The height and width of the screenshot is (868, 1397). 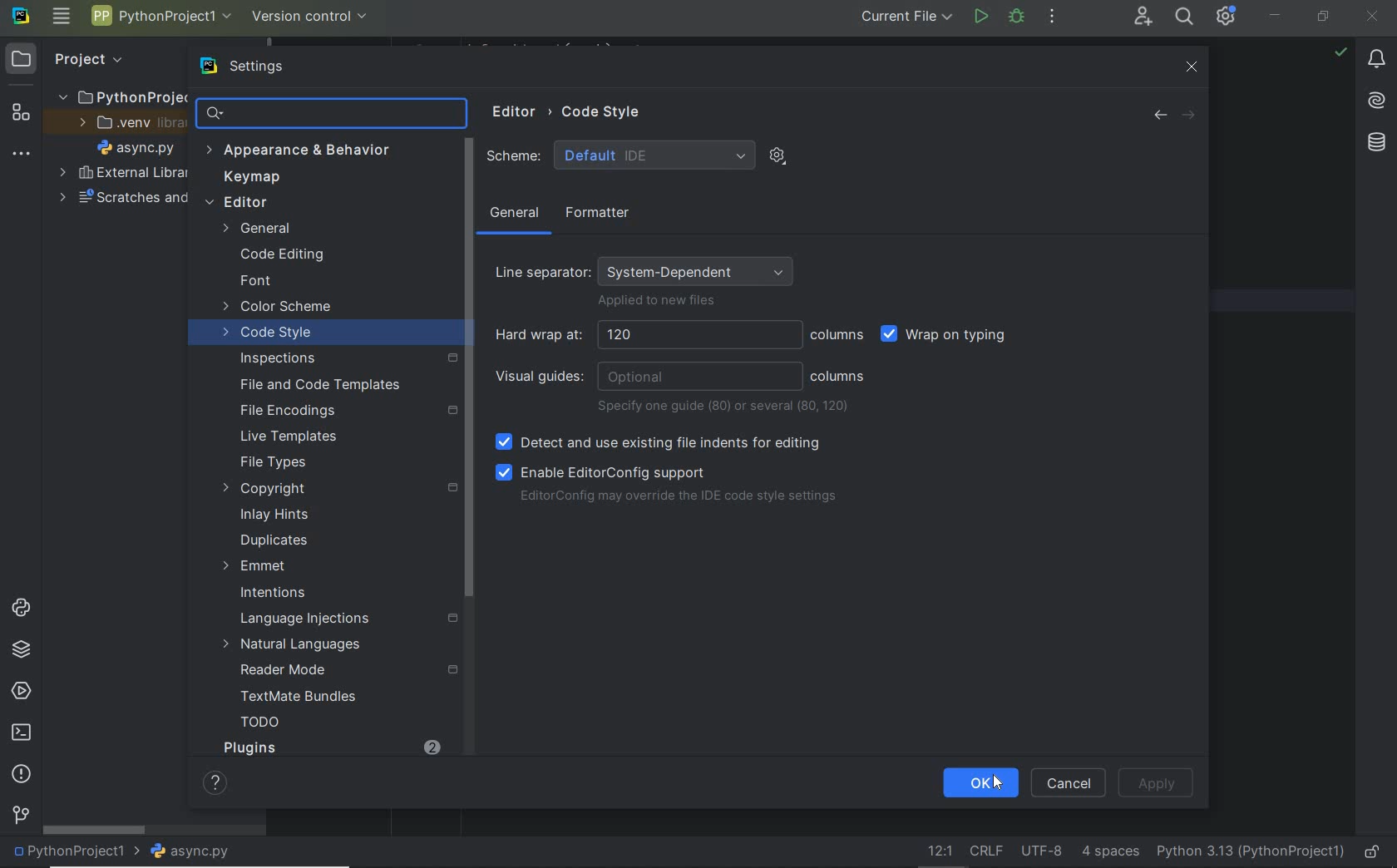 What do you see at coordinates (1376, 141) in the screenshot?
I see `Database` at bounding box center [1376, 141].